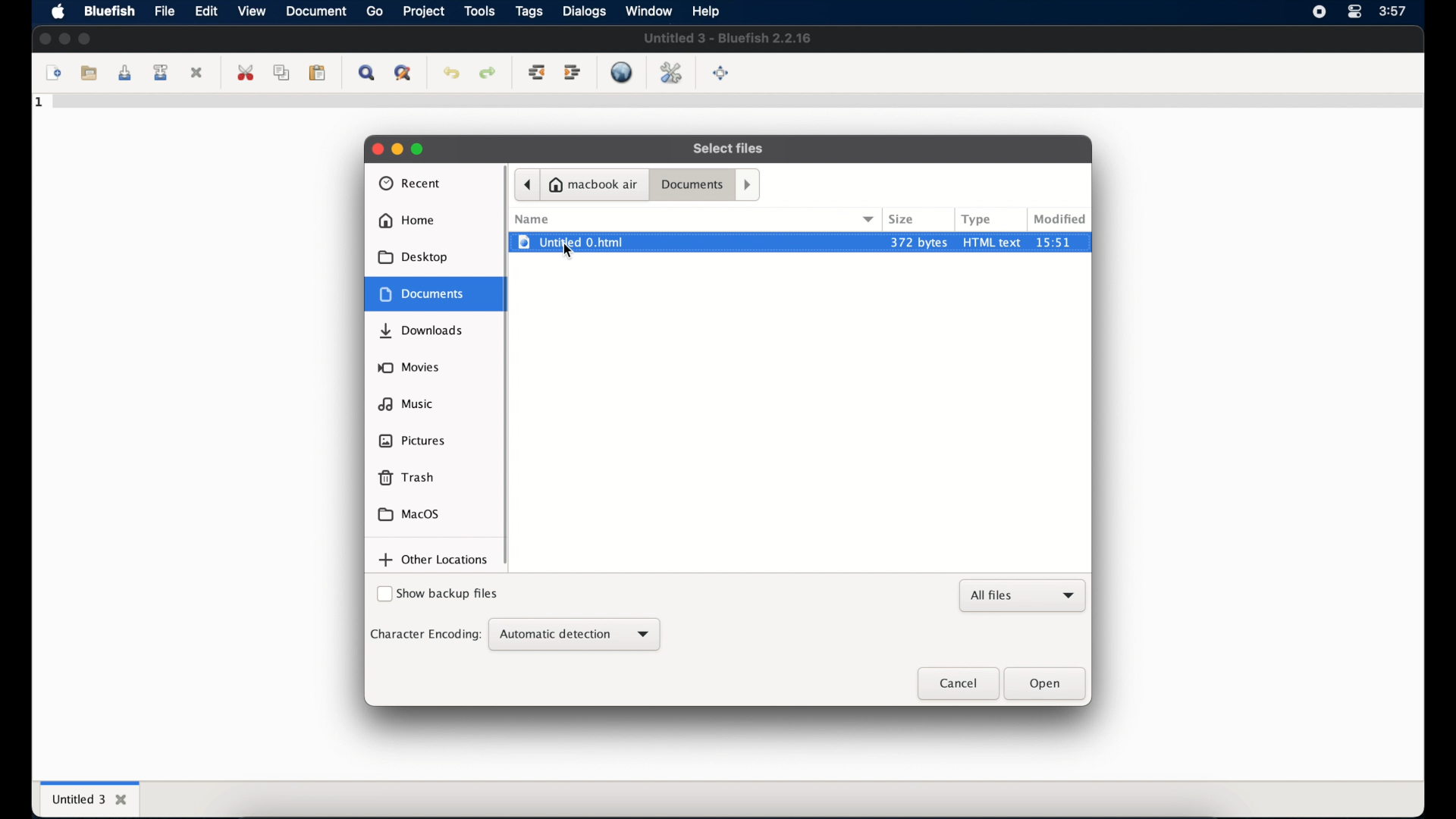 This screenshot has height=819, width=1456. Describe the element at coordinates (1024, 596) in the screenshot. I see `all files dropdown` at that location.